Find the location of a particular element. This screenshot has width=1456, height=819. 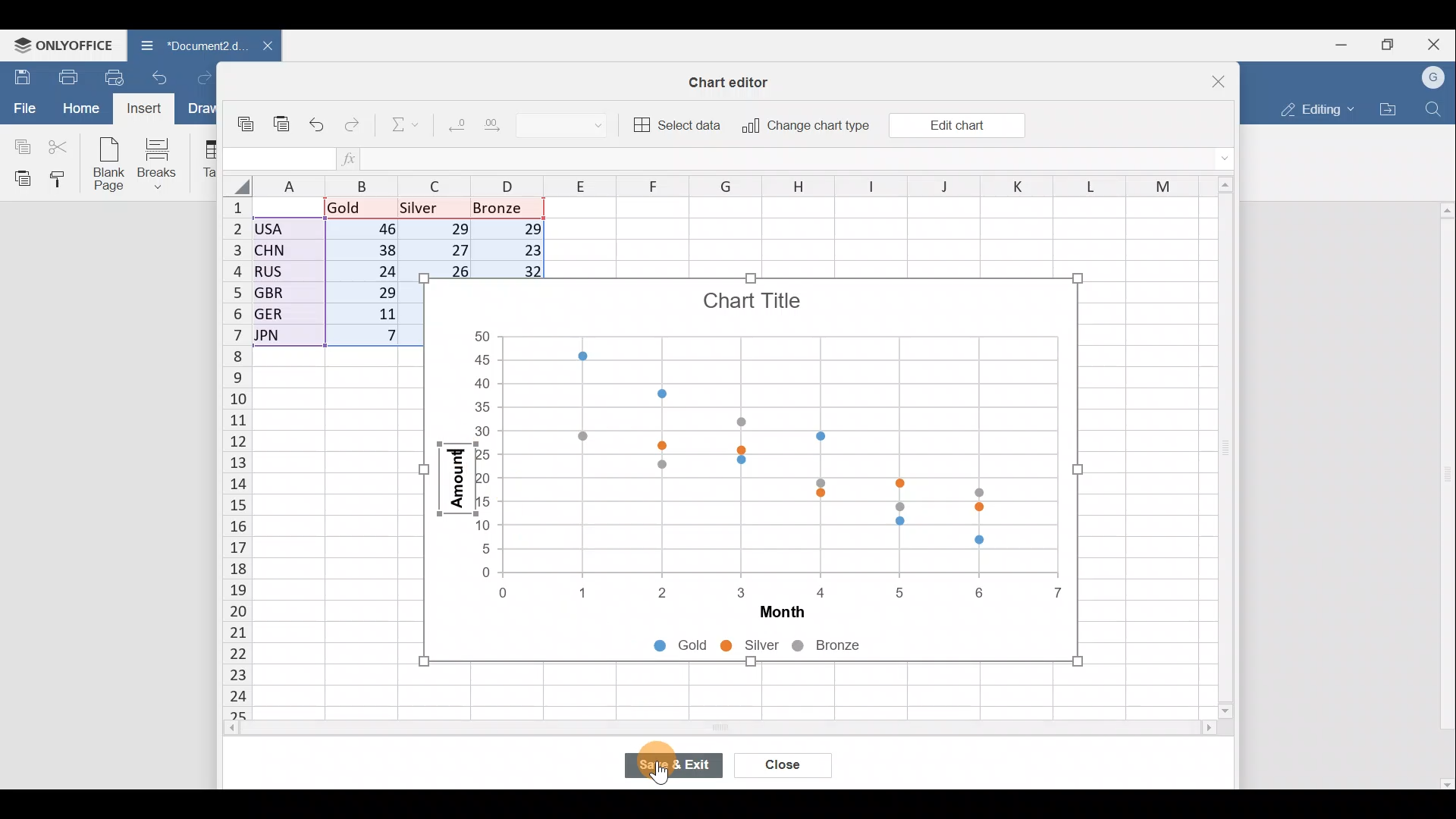

Scroll bar is located at coordinates (688, 730).